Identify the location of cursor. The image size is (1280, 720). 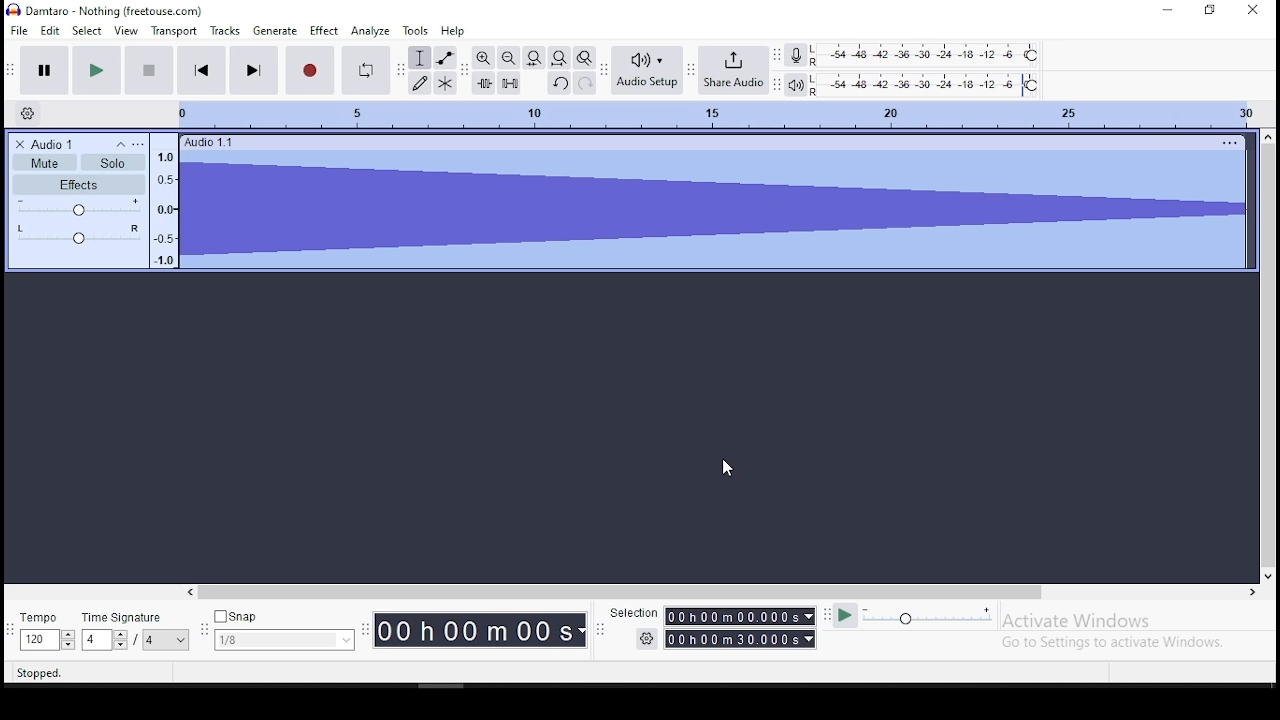
(725, 468).